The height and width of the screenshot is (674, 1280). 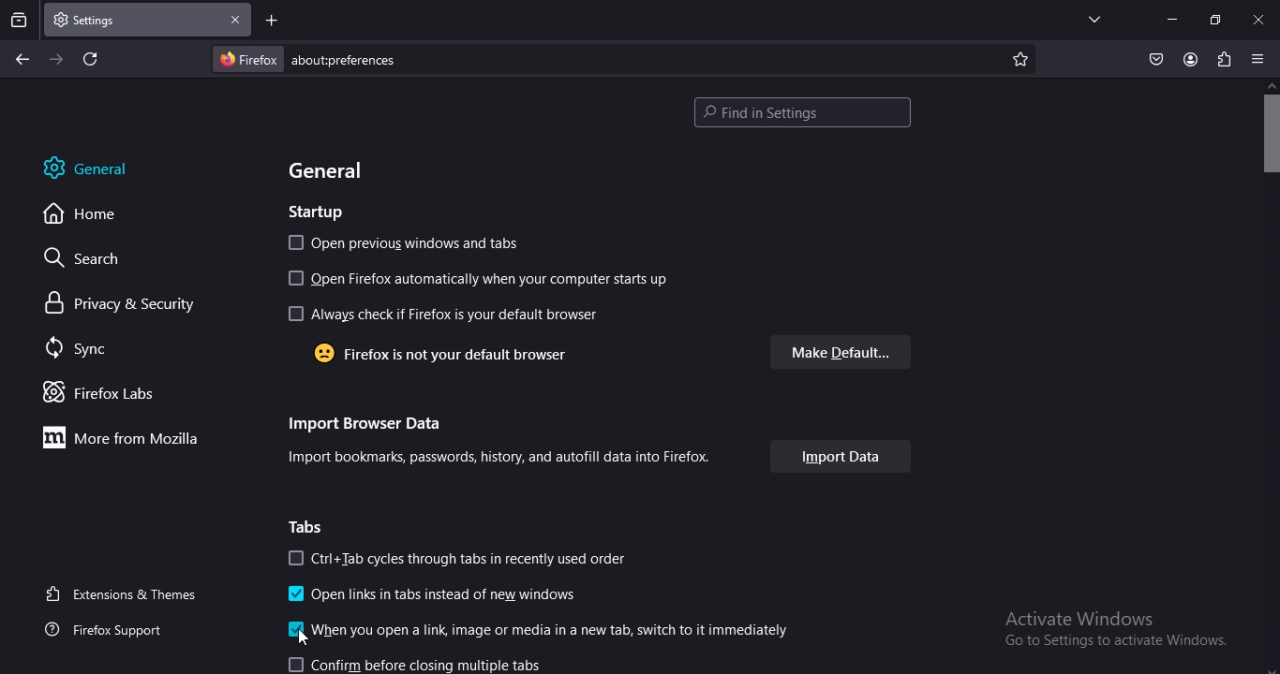 I want to click on about:preferences, so click(x=586, y=60).